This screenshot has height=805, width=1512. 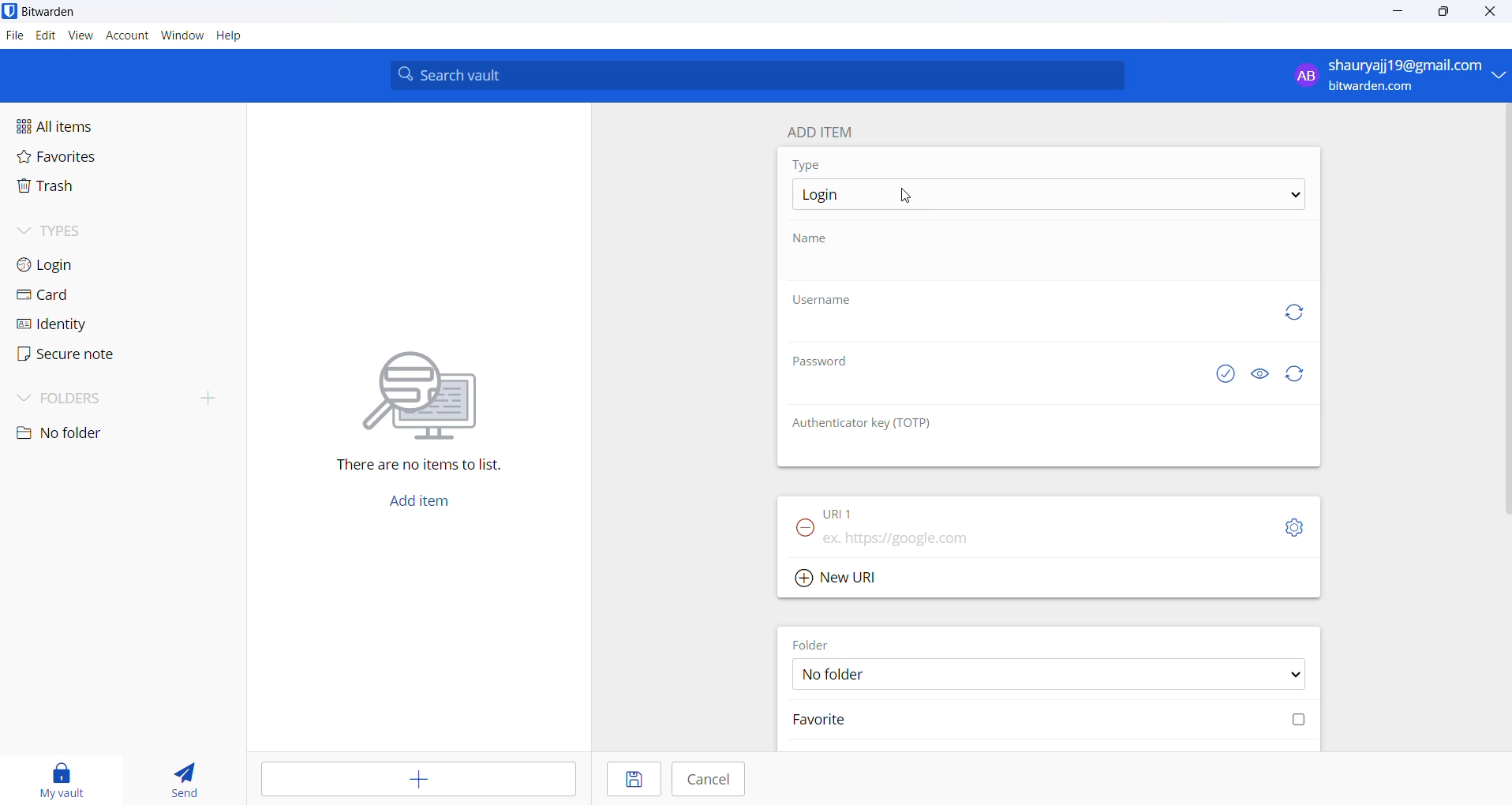 I want to click on password heading, so click(x=824, y=361).